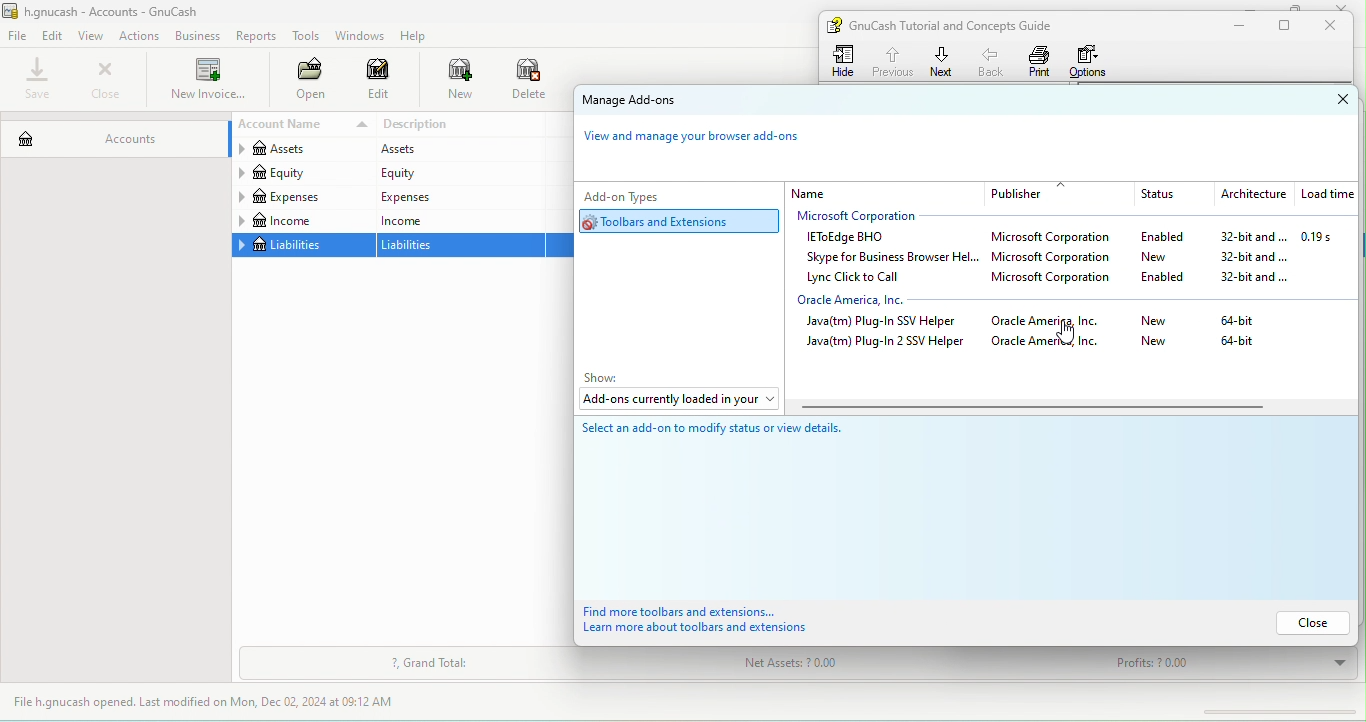 The width and height of the screenshot is (1366, 722). What do you see at coordinates (302, 246) in the screenshot?
I see `liabilities` at bounding box center [302, 246].